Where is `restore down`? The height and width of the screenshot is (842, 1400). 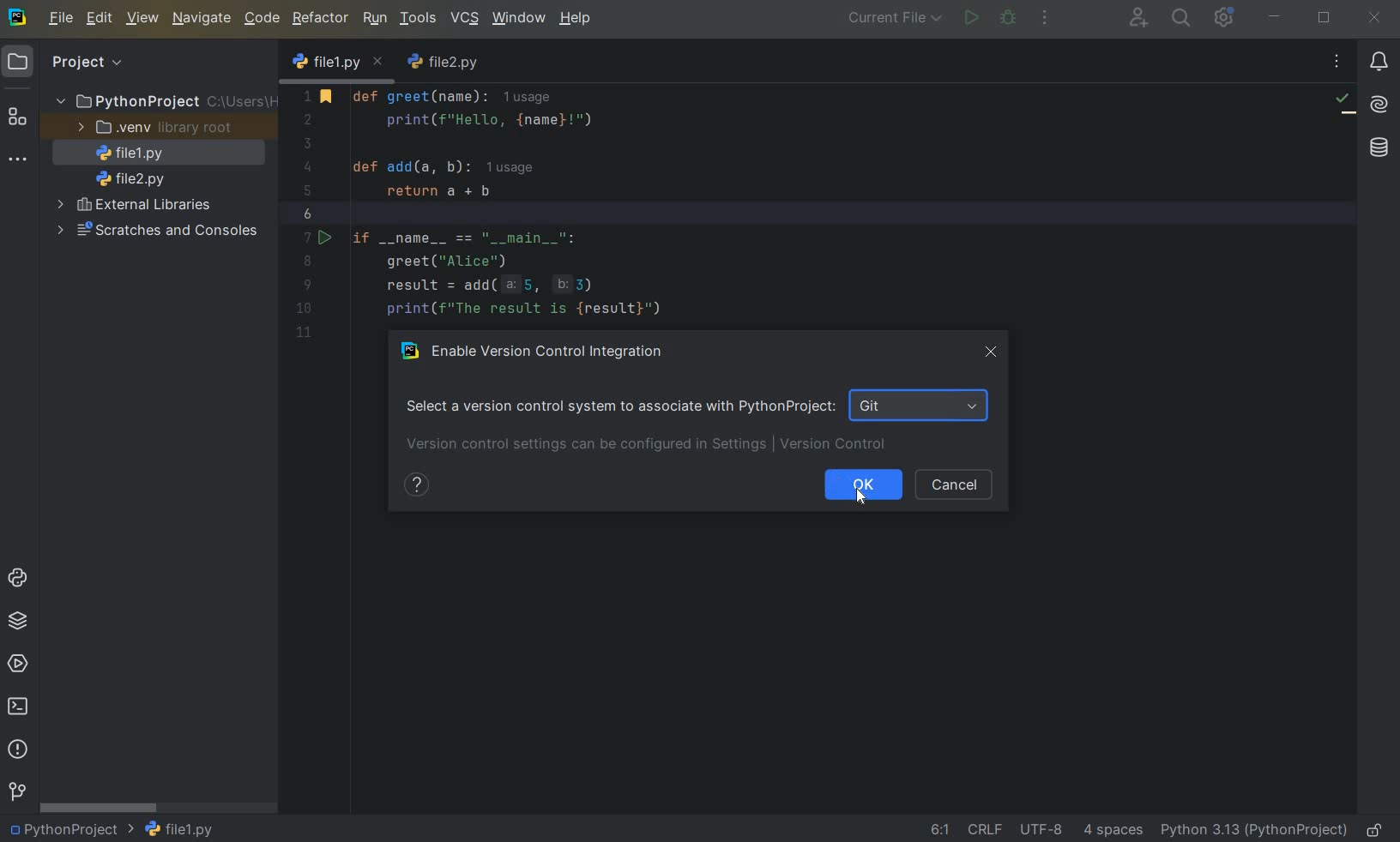
restore down is located at coordinates (1325, 18).